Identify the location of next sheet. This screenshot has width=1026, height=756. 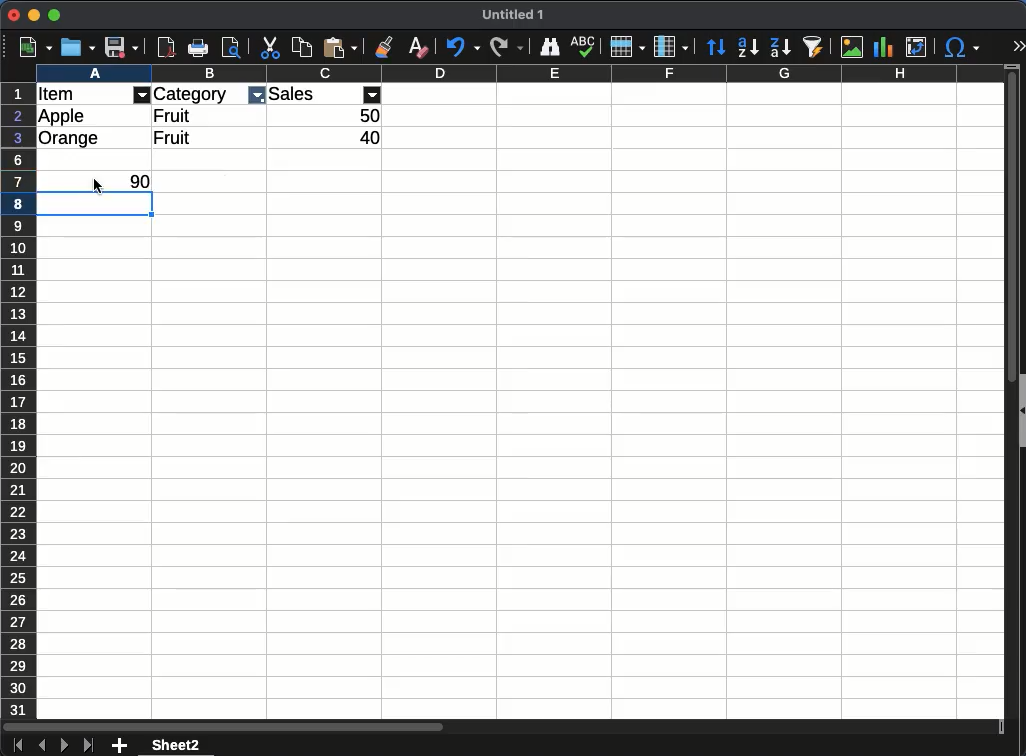
(64, 746).